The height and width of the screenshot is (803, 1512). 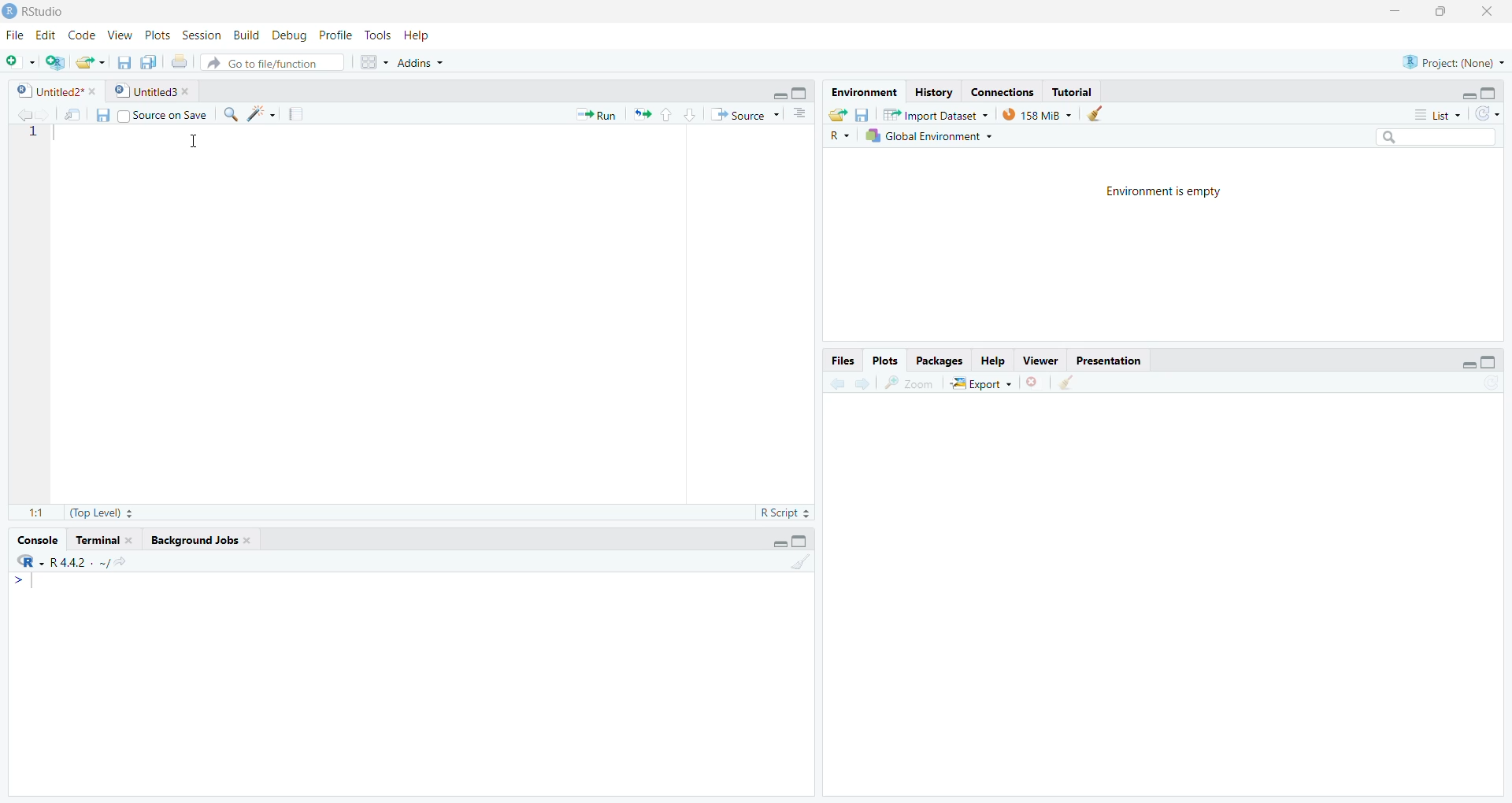 What do you see at coordinates (1096, 113) in the screenshot?
I see `` at bounding box center [1096, 113].